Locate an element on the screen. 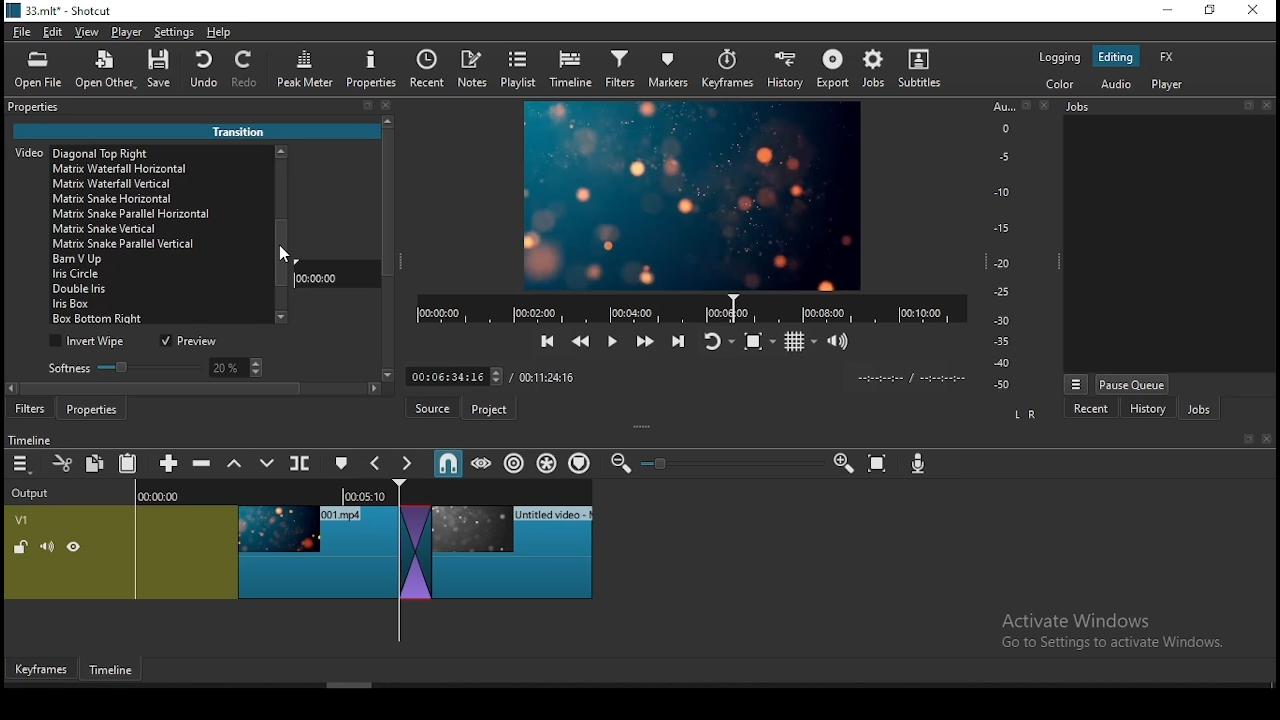  ripple delete is located at coordinates (204, 463).